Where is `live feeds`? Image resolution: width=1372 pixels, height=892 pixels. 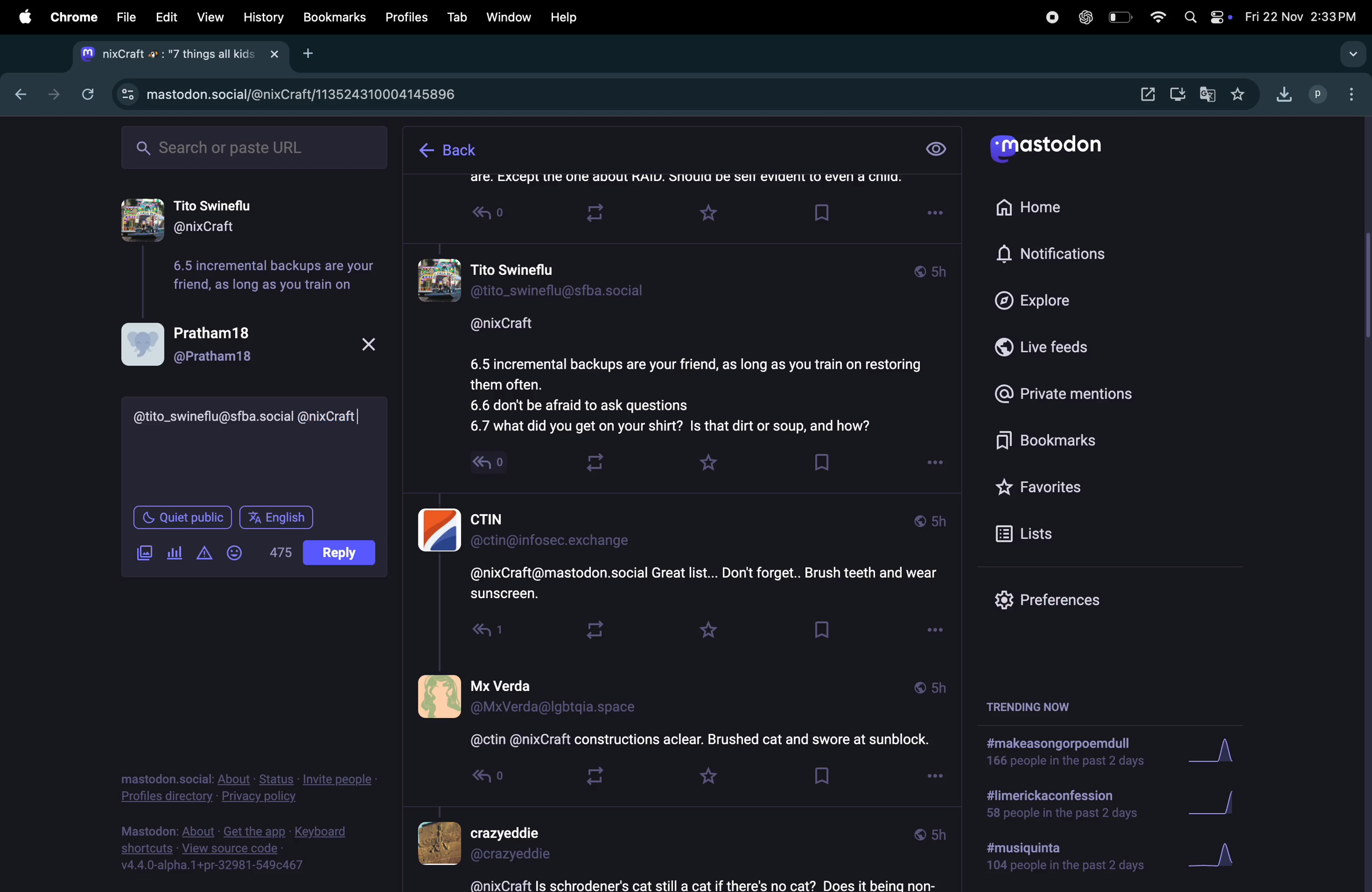 live feeds is located at coordinates (1061, 350).